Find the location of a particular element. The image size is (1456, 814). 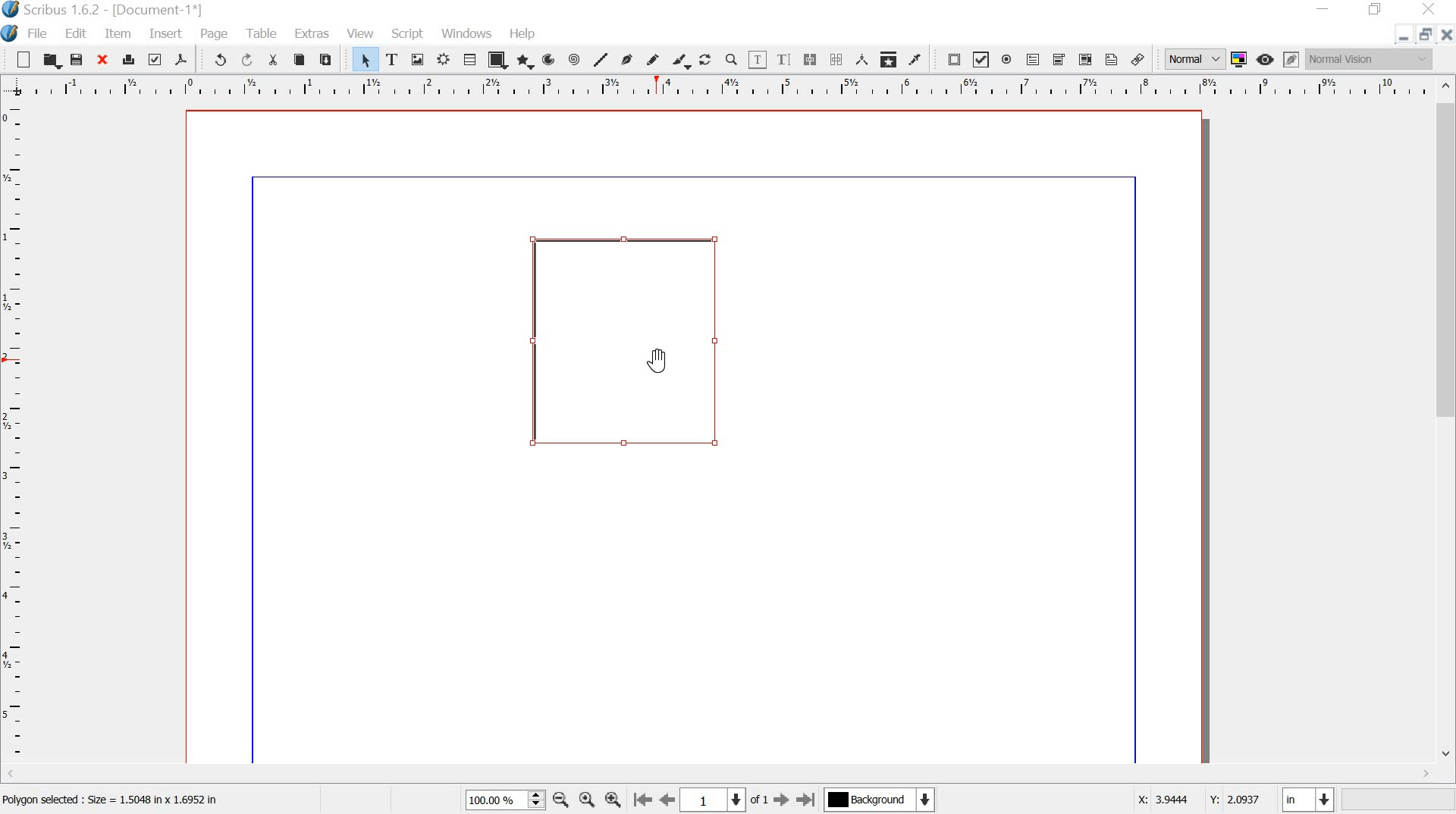

table is located at coordinates (263, 34).